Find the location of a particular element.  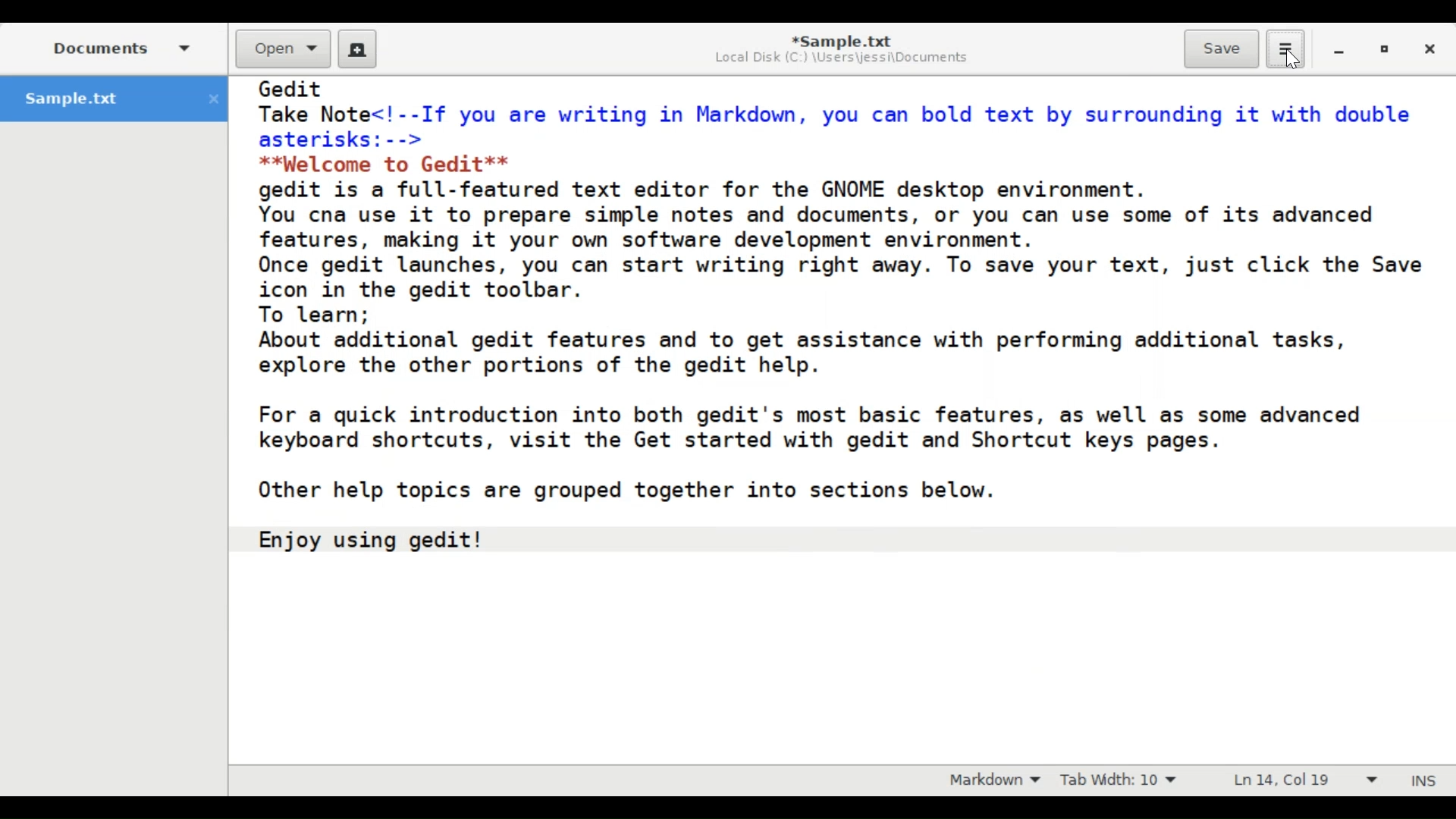

Documents is located at coordinates (124, 48).